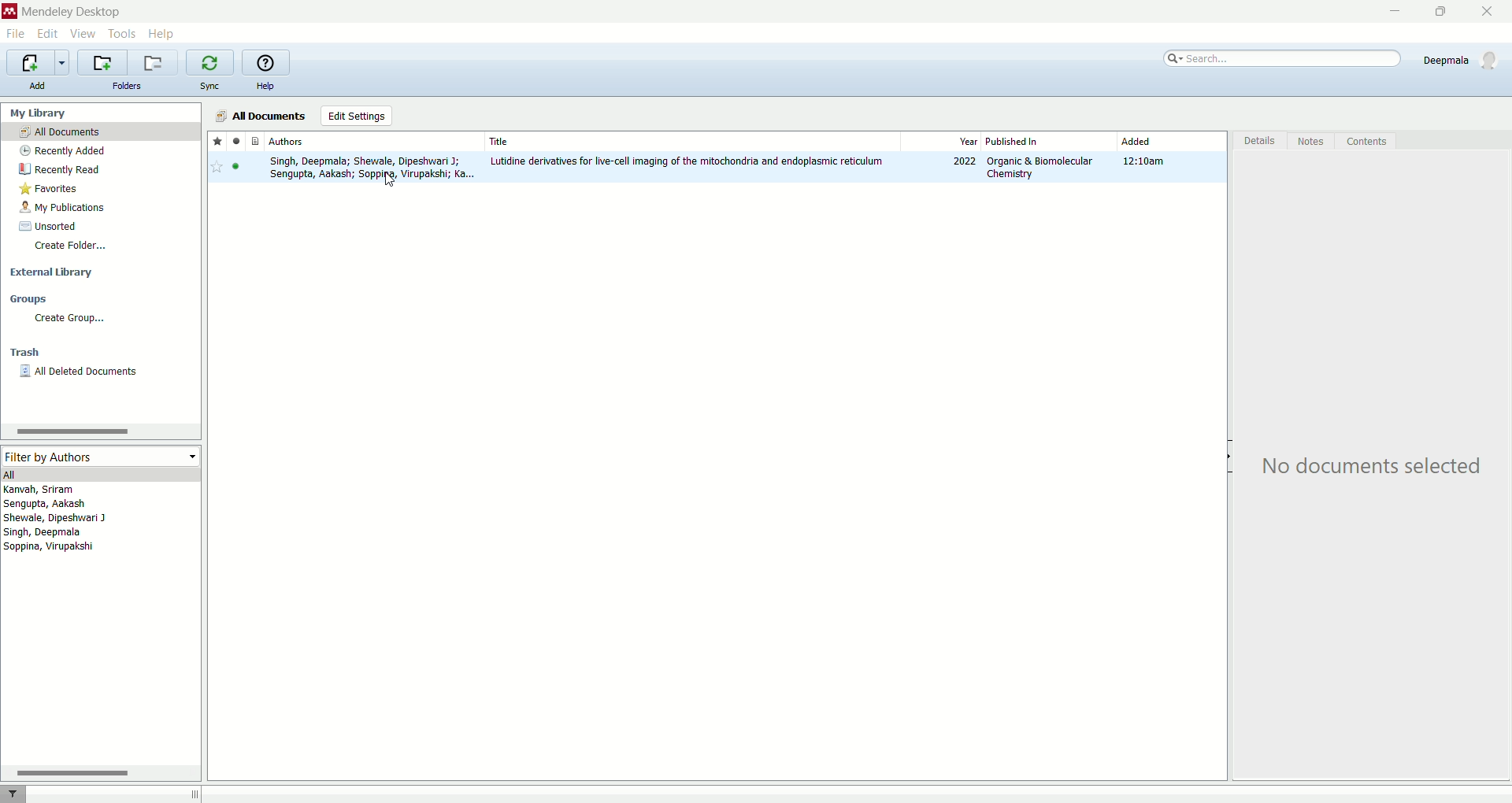 The width and height of the screenshot is (1512, 803). I want to click on close, so click(1488, 12).